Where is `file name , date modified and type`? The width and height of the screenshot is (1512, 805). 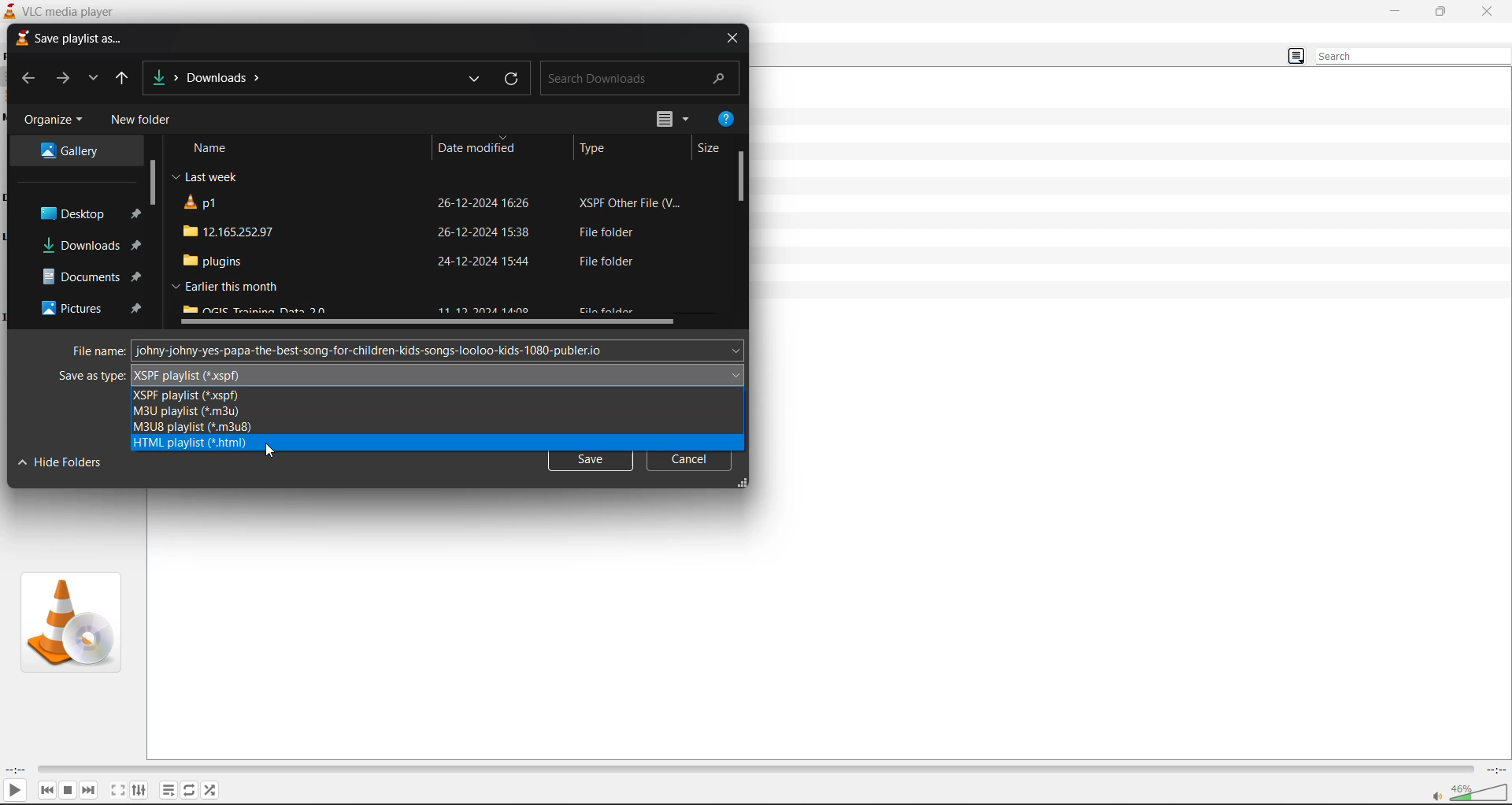
file name , date modified and type is located at coordinates (435, 205).